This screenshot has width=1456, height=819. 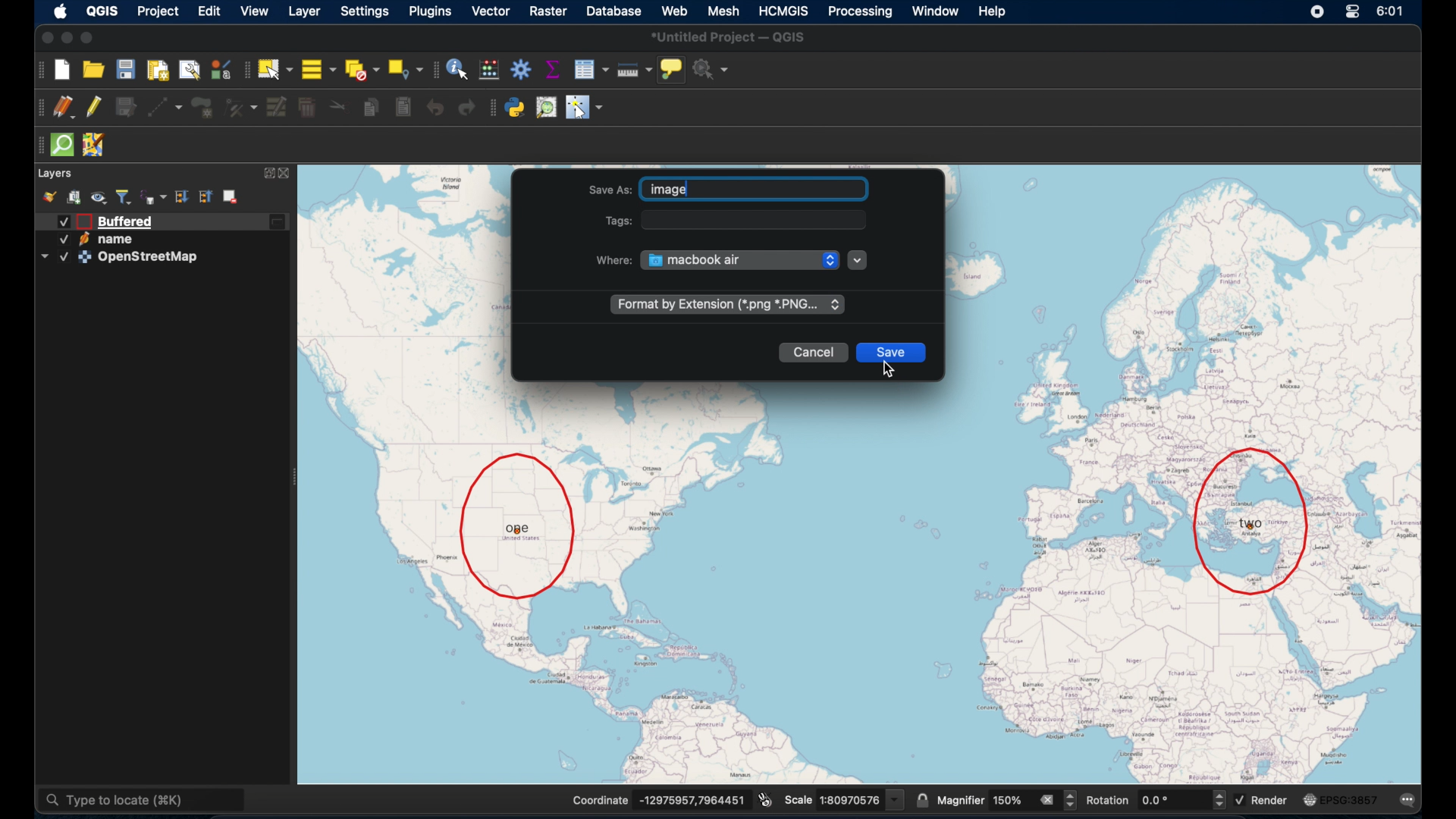 I want to click on icon, so click(x=1309, y=800).